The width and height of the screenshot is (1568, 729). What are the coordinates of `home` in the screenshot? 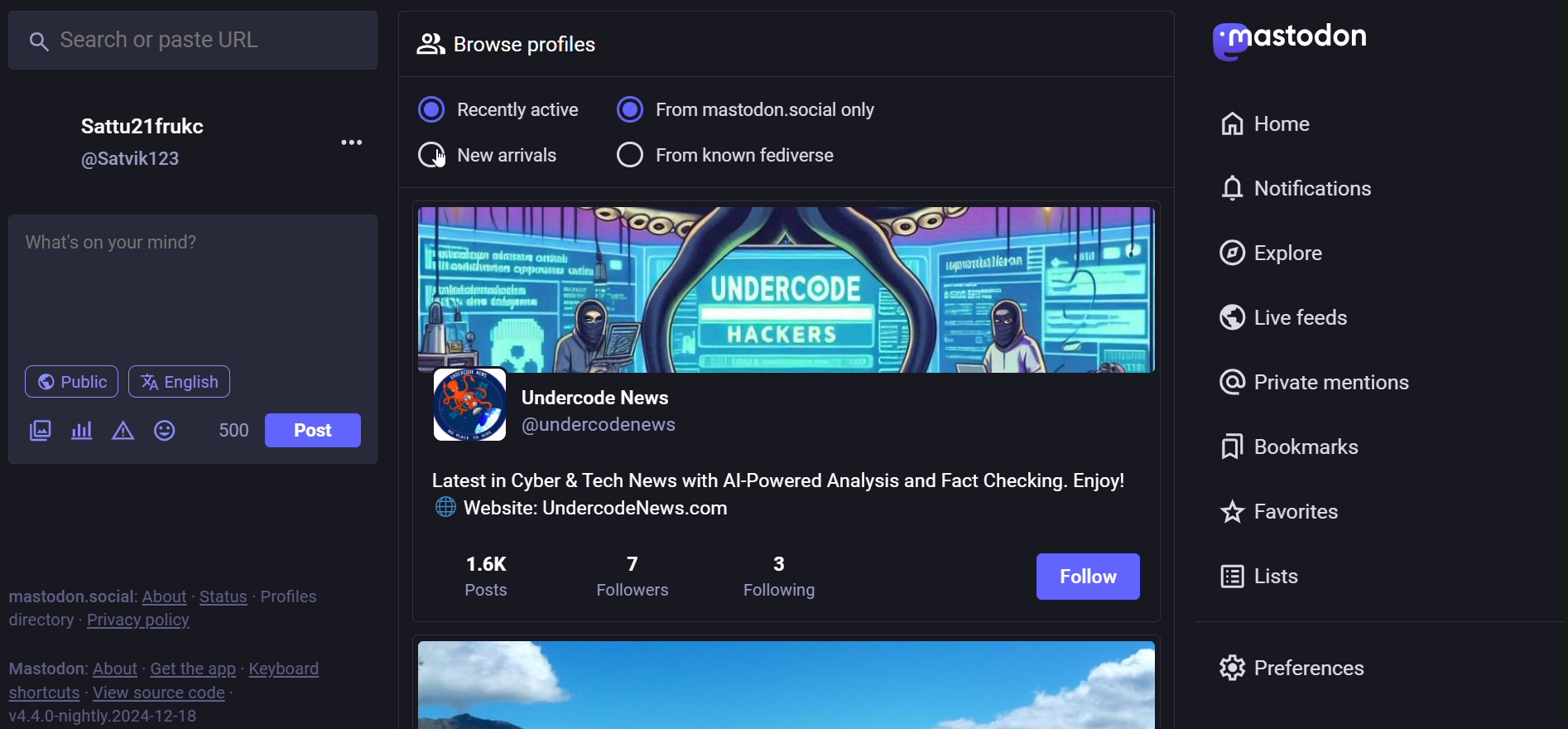 It's located at (1275, 120).